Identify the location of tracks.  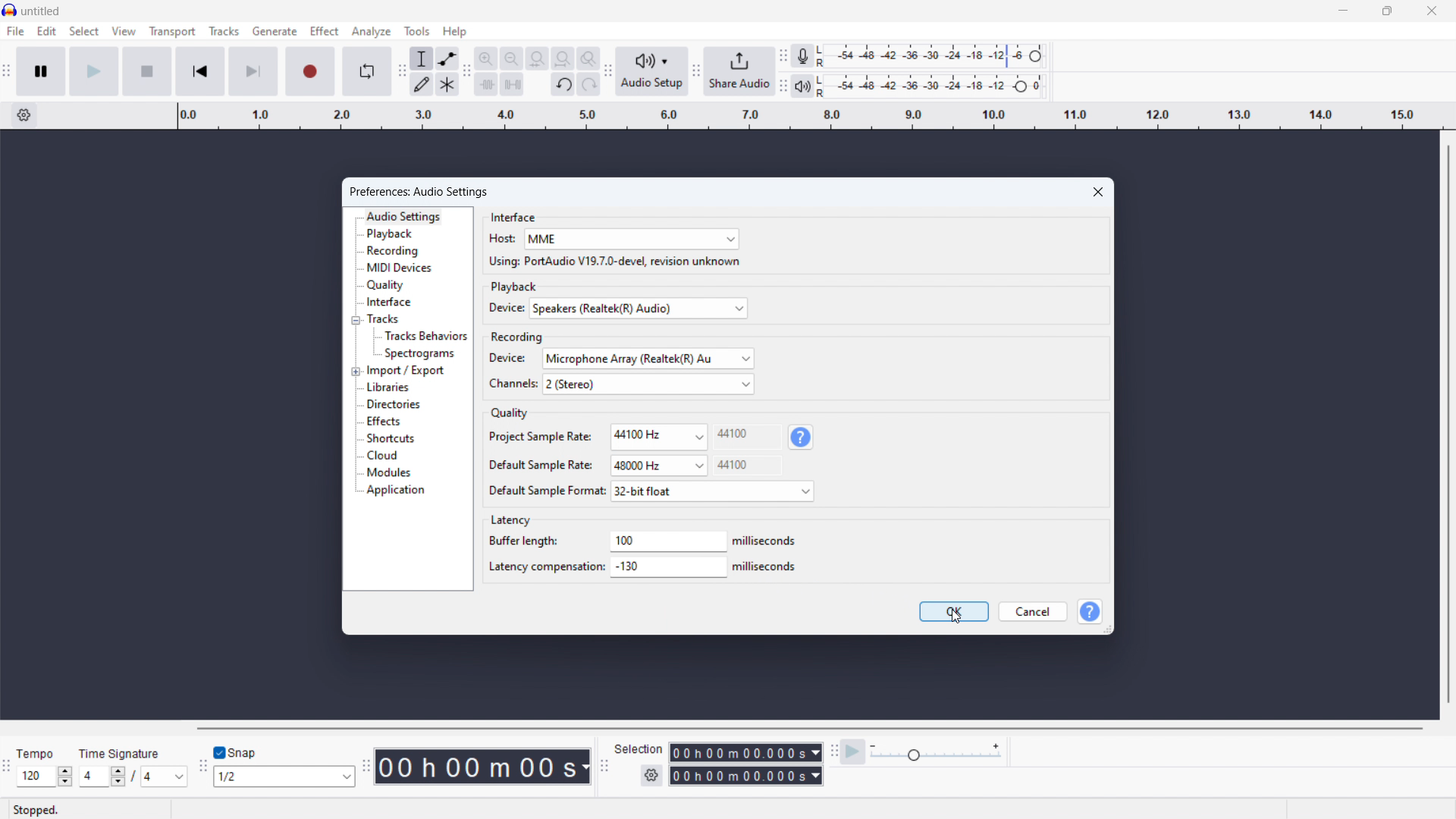
(224, 31).